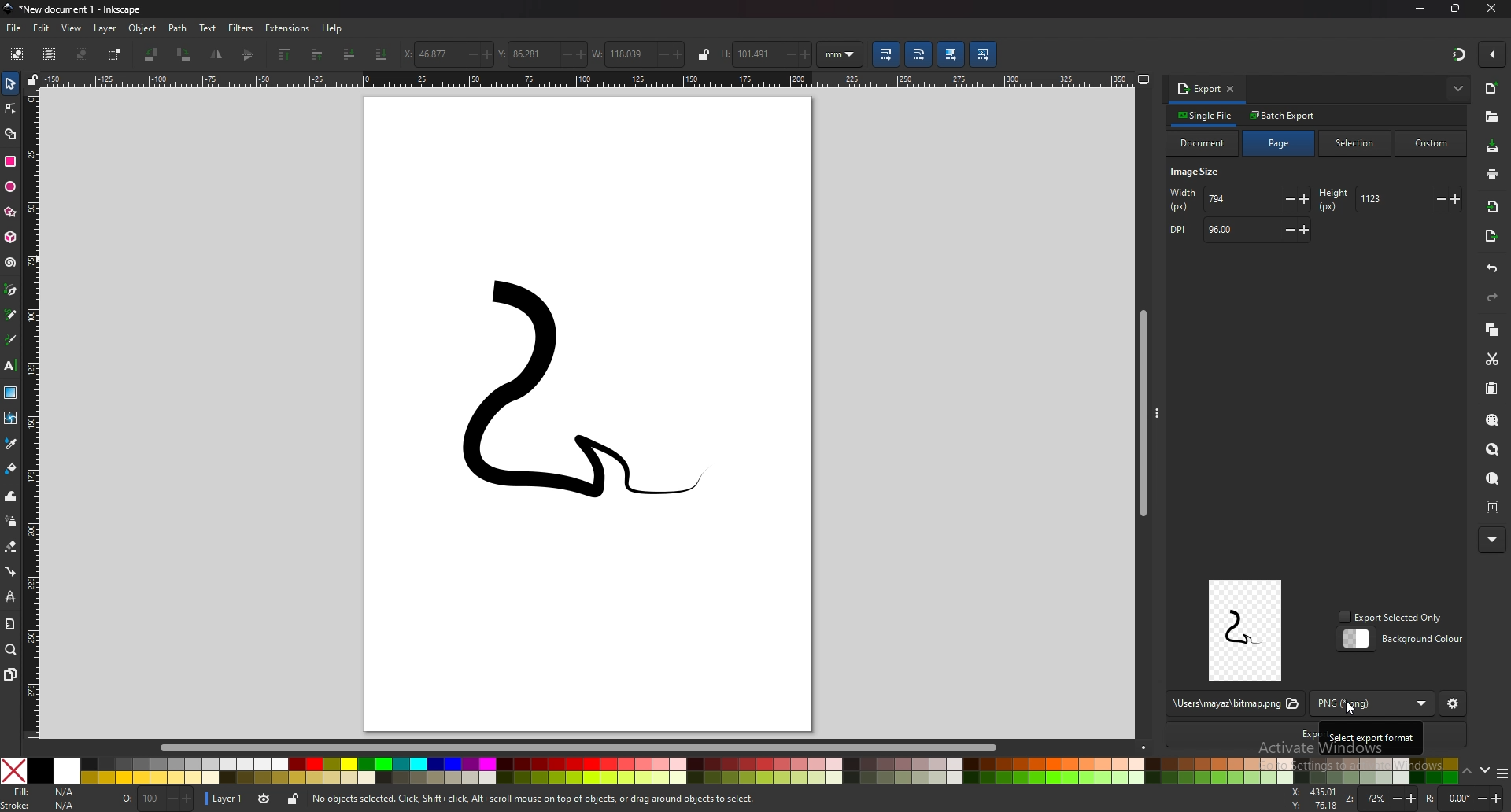 This screenshot has width=1511, height=812. What do you see at coordinates (704, 54) in the screenshot?
I see `lock` at bounding box center [704, 54].